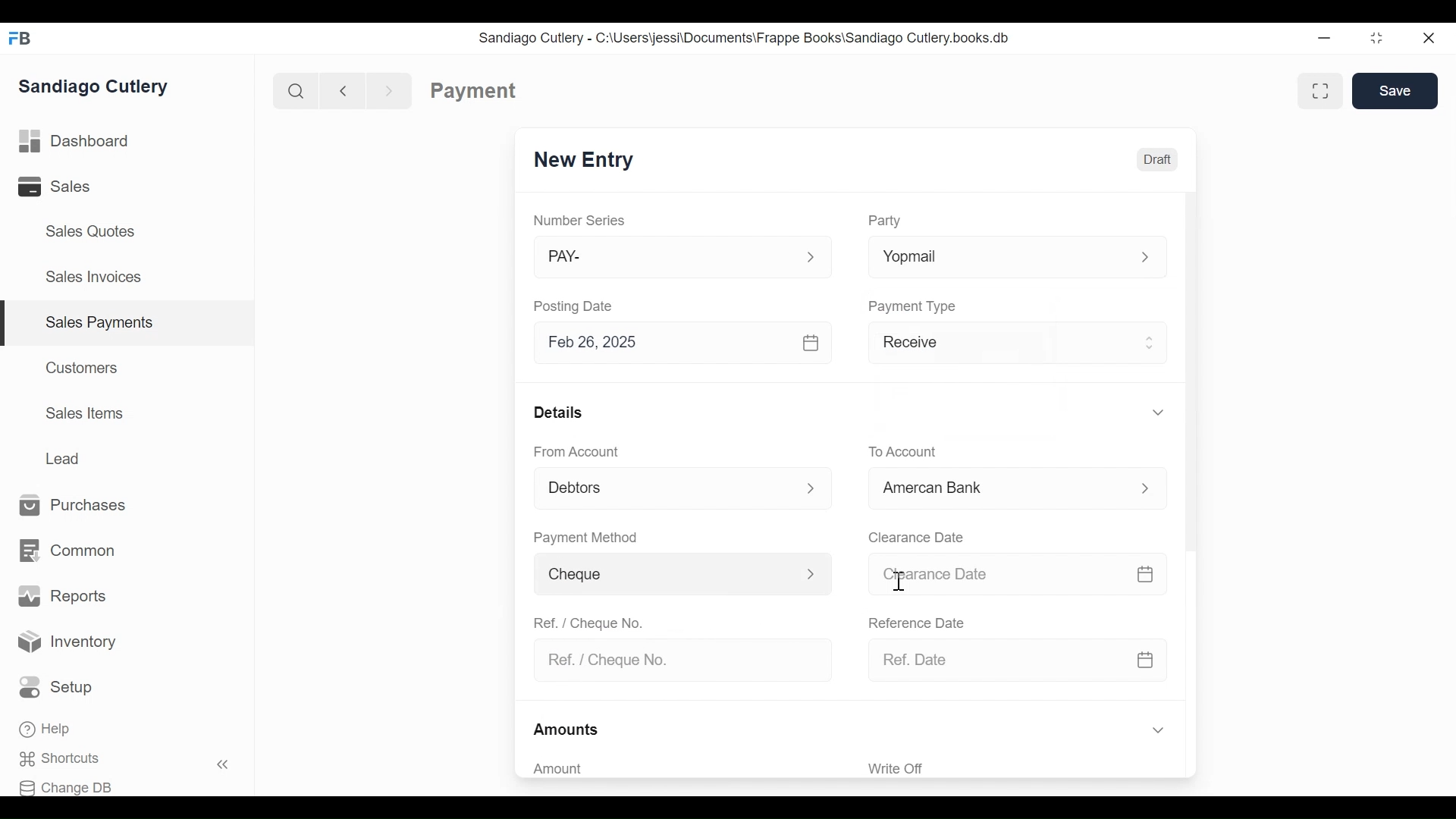 The image size is (1456, 819). Describe the element at coordinates (811, 258) in the screenshot. I see `Expand` at that location.